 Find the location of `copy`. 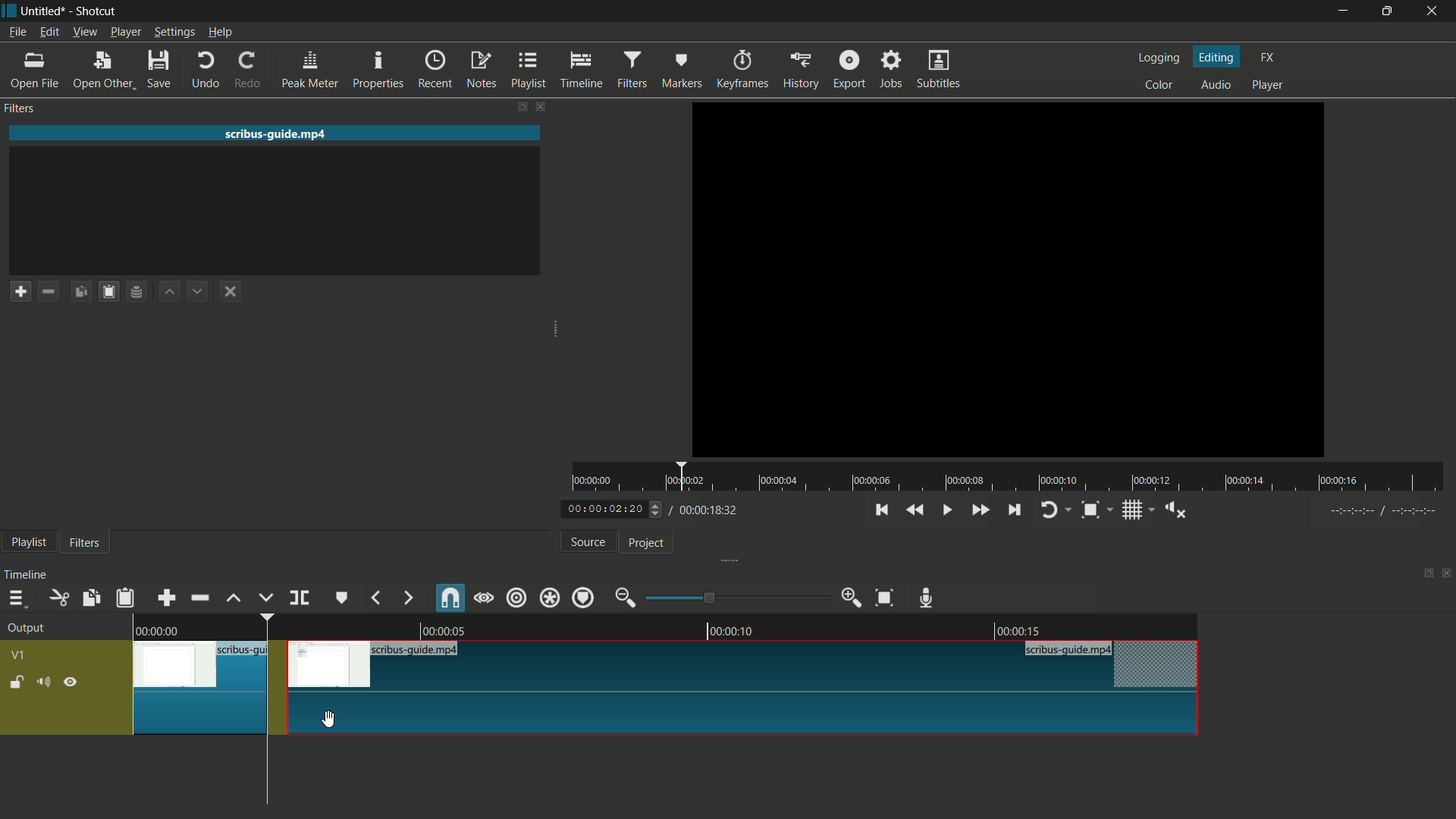

copy is located at coordinates (90, 599).